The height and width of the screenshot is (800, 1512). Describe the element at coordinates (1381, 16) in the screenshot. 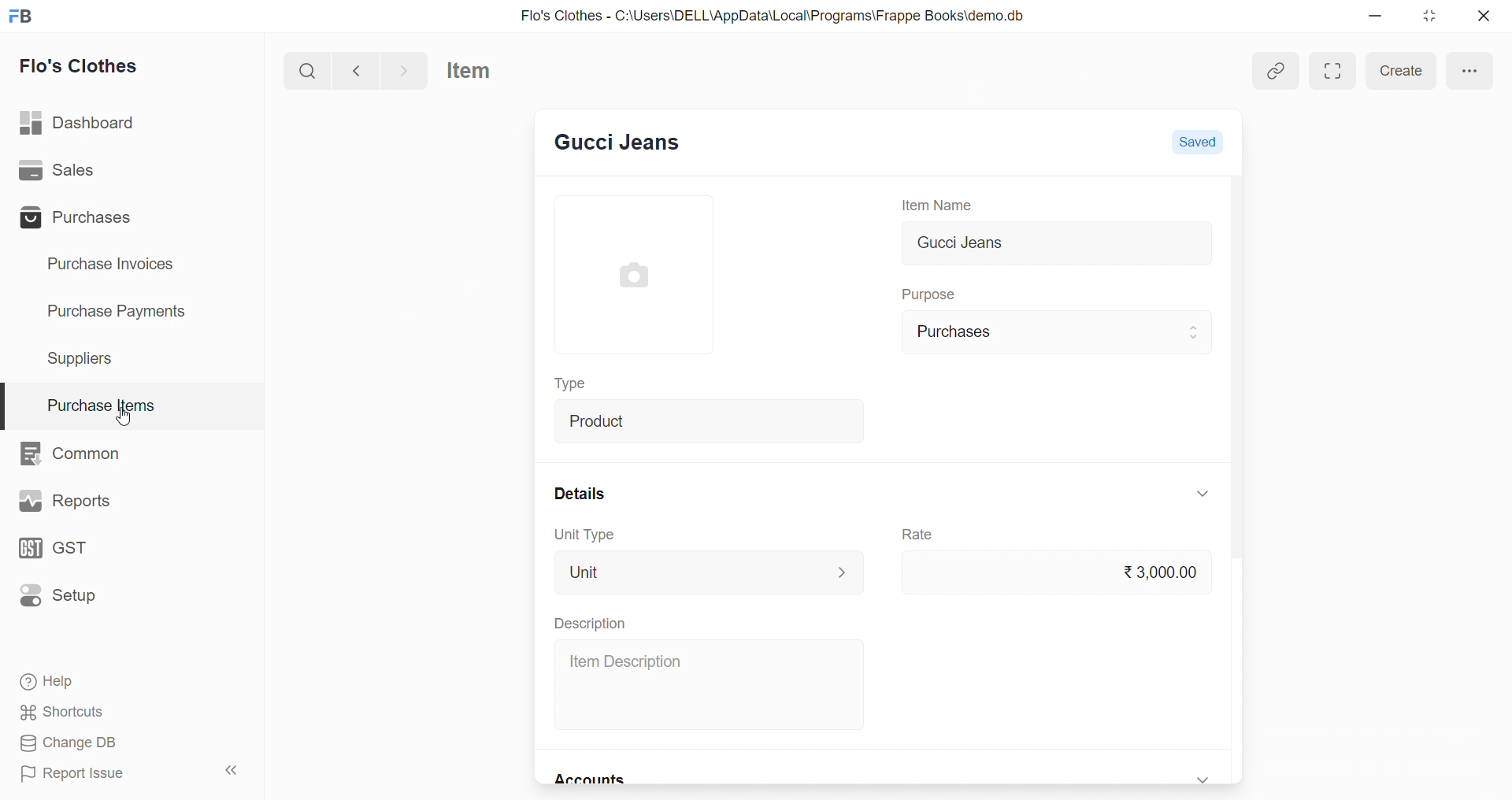

I see `minimize` at that location.